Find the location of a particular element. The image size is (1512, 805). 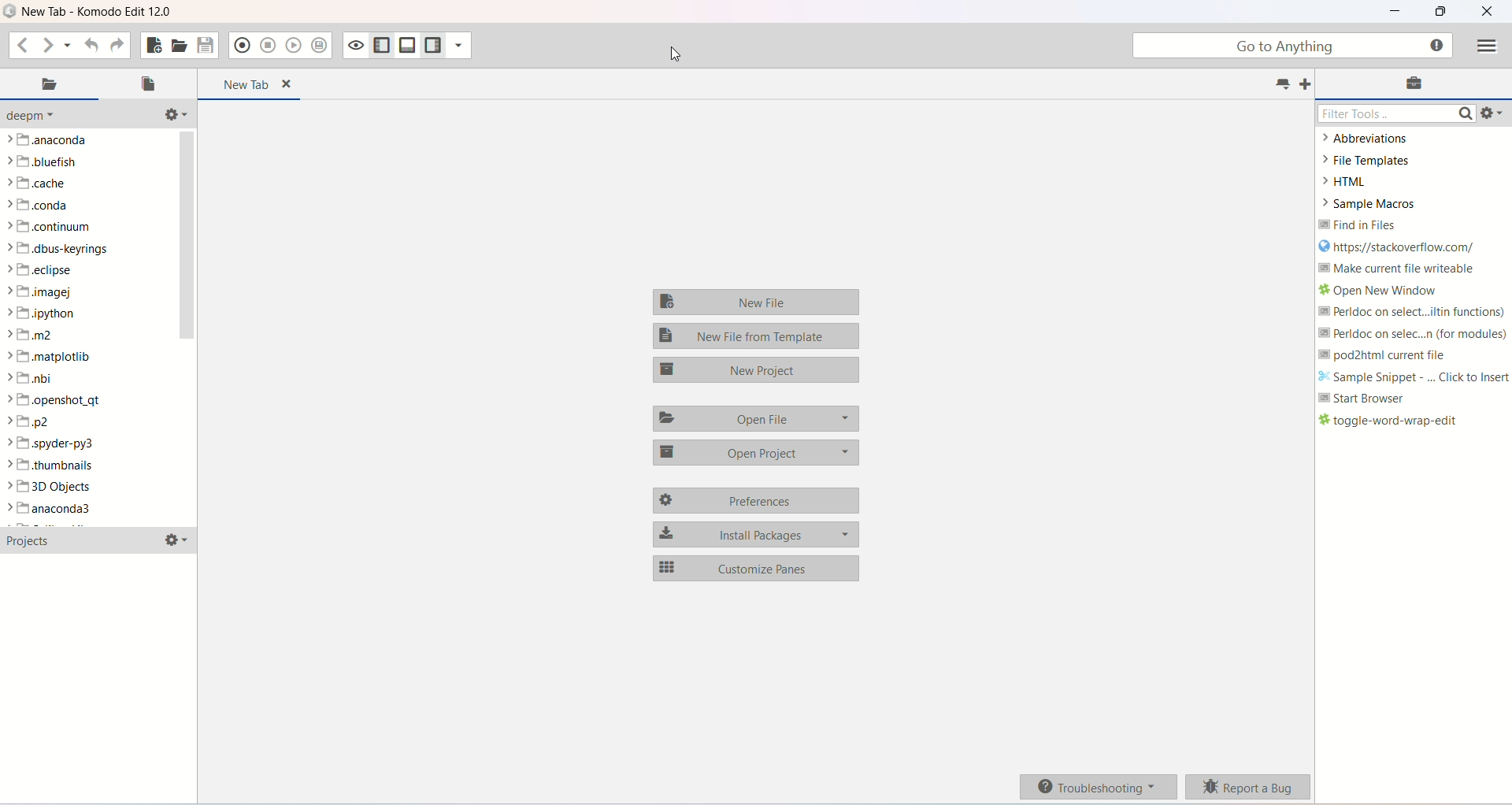

logo is located at coordinates (9, 12).